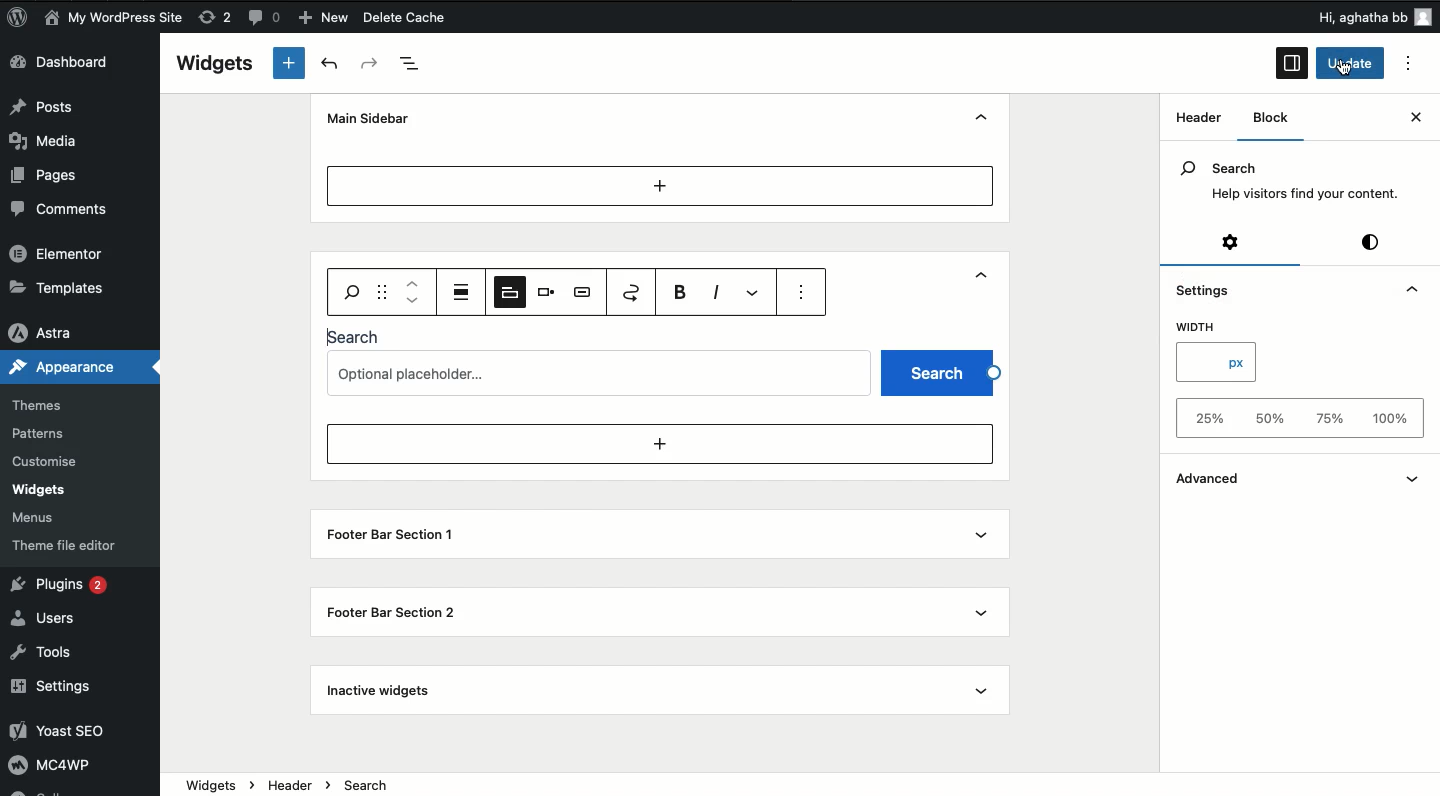 The image size is (1440, 796). What do you see at coordinates (1348, 71) in the screenshot?
I see `cursor` at bounding box center [1348, 71].